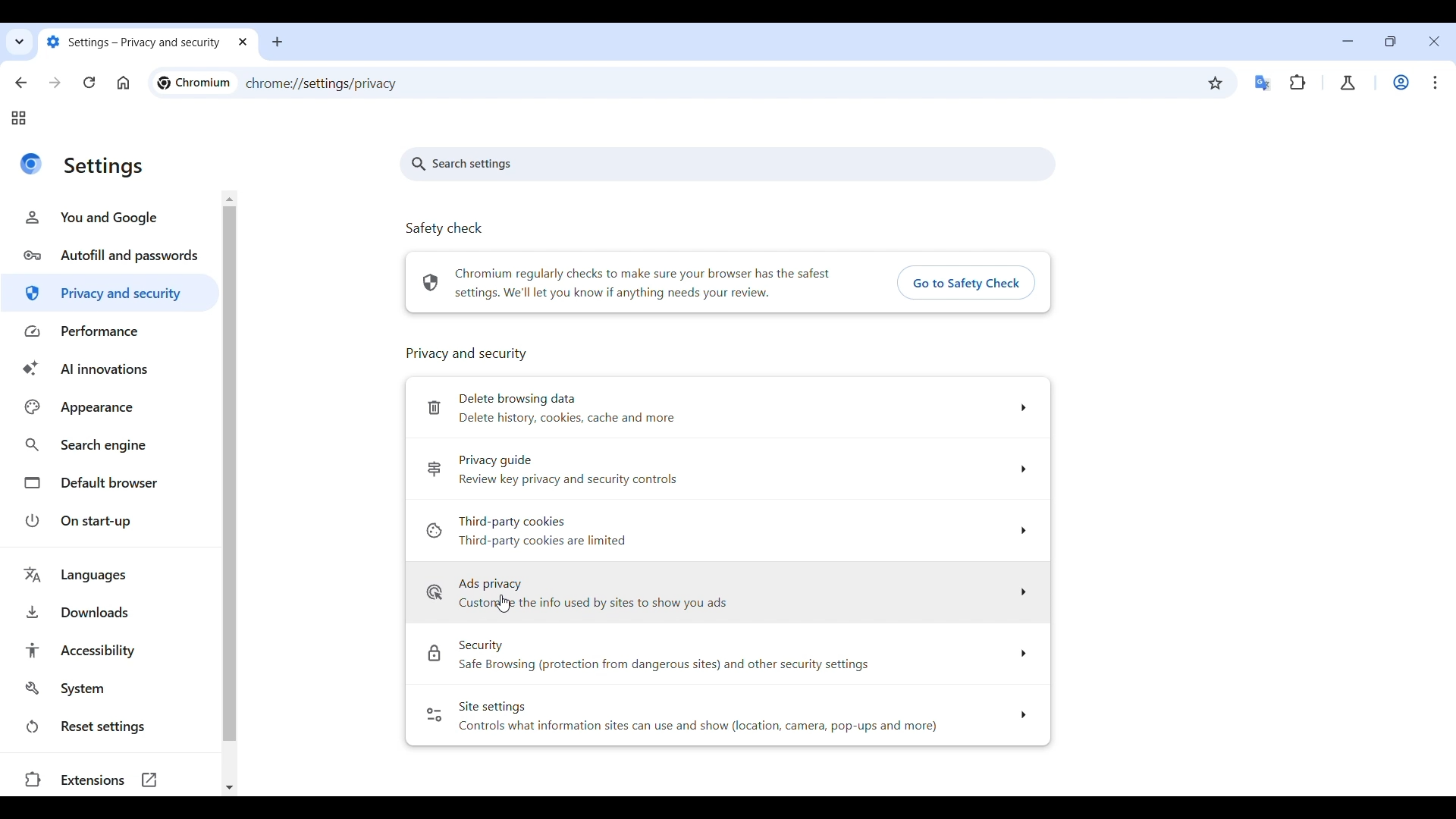  I want to click on Quick slide to top, so click(230, 199).